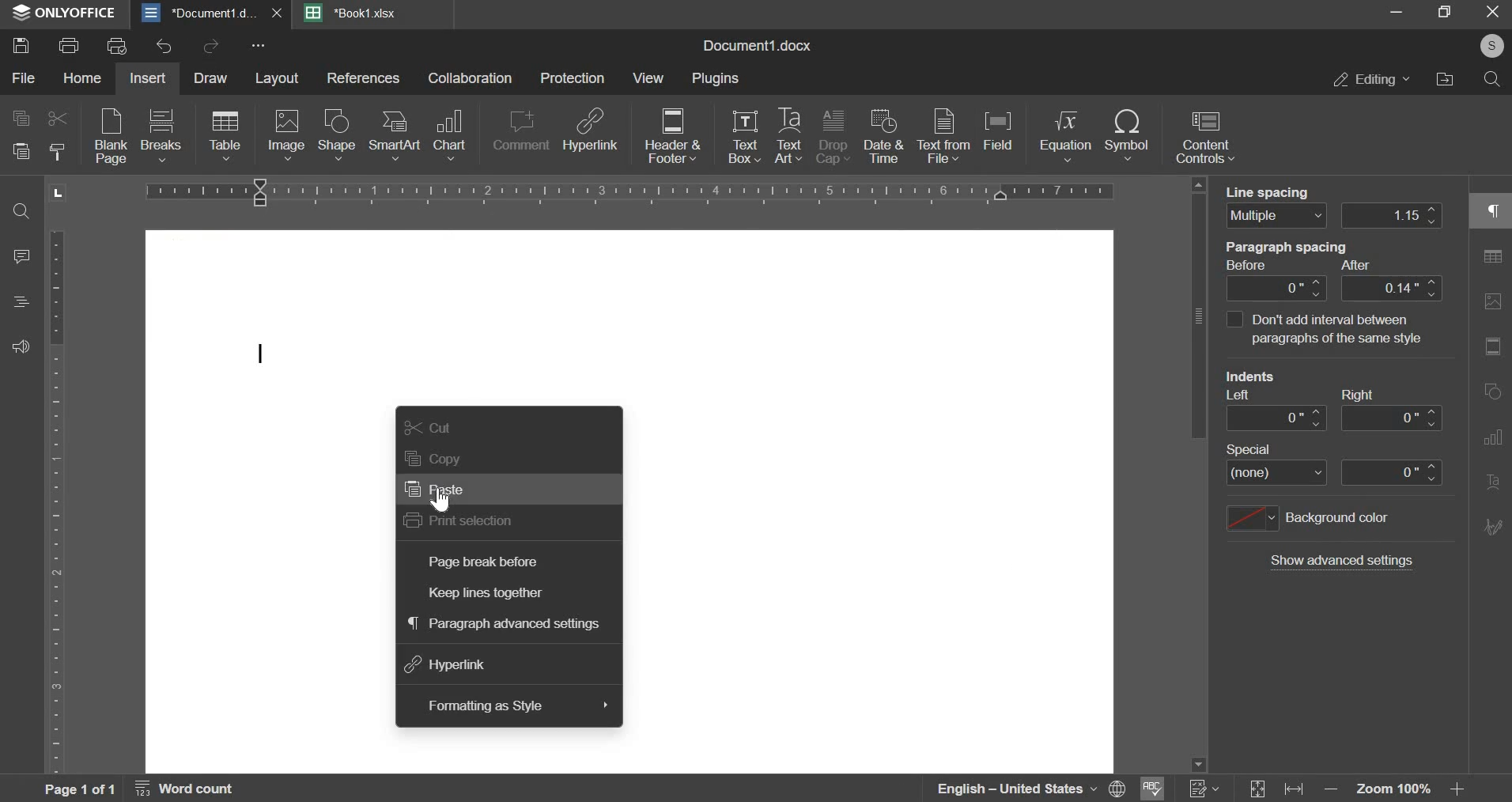 Image resolution: width=1512 pixels, height=802 pixels. Describe the element at coordinates (460, 520) in the screenshot. I see `print selection` at that location.